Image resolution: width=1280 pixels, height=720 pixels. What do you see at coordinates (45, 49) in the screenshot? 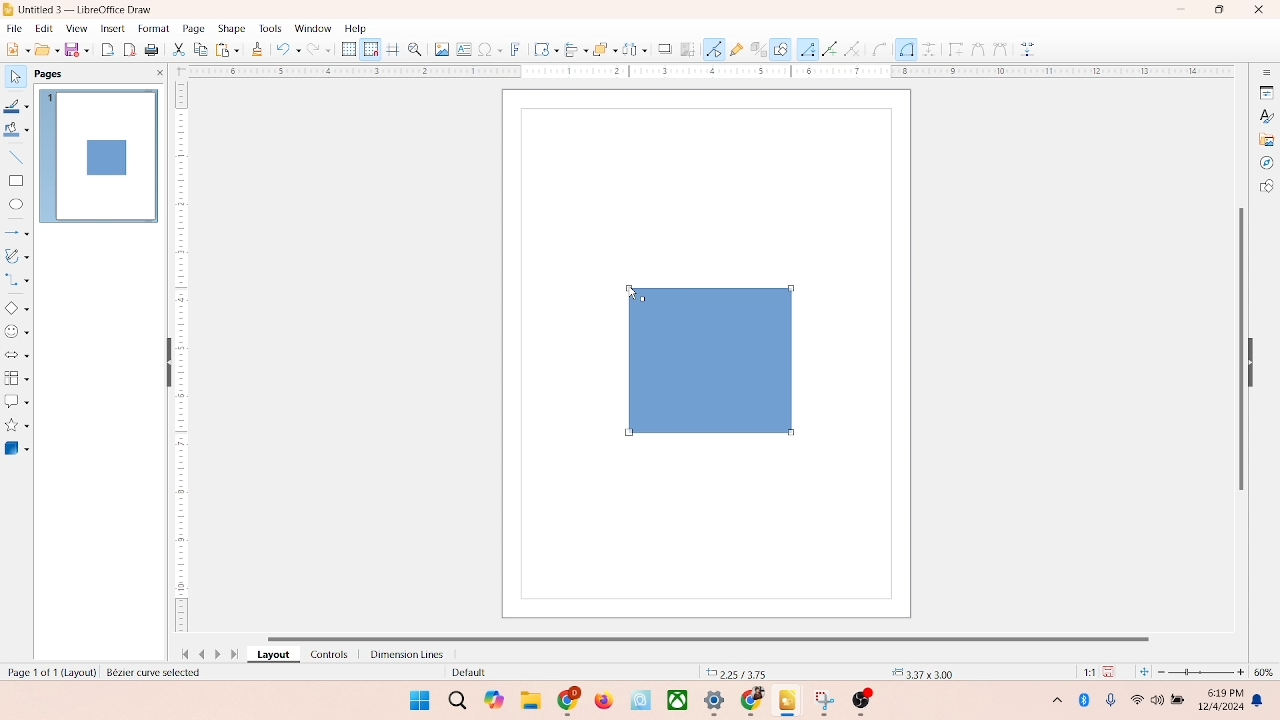
I see `open` at bounding box center [45, 49].